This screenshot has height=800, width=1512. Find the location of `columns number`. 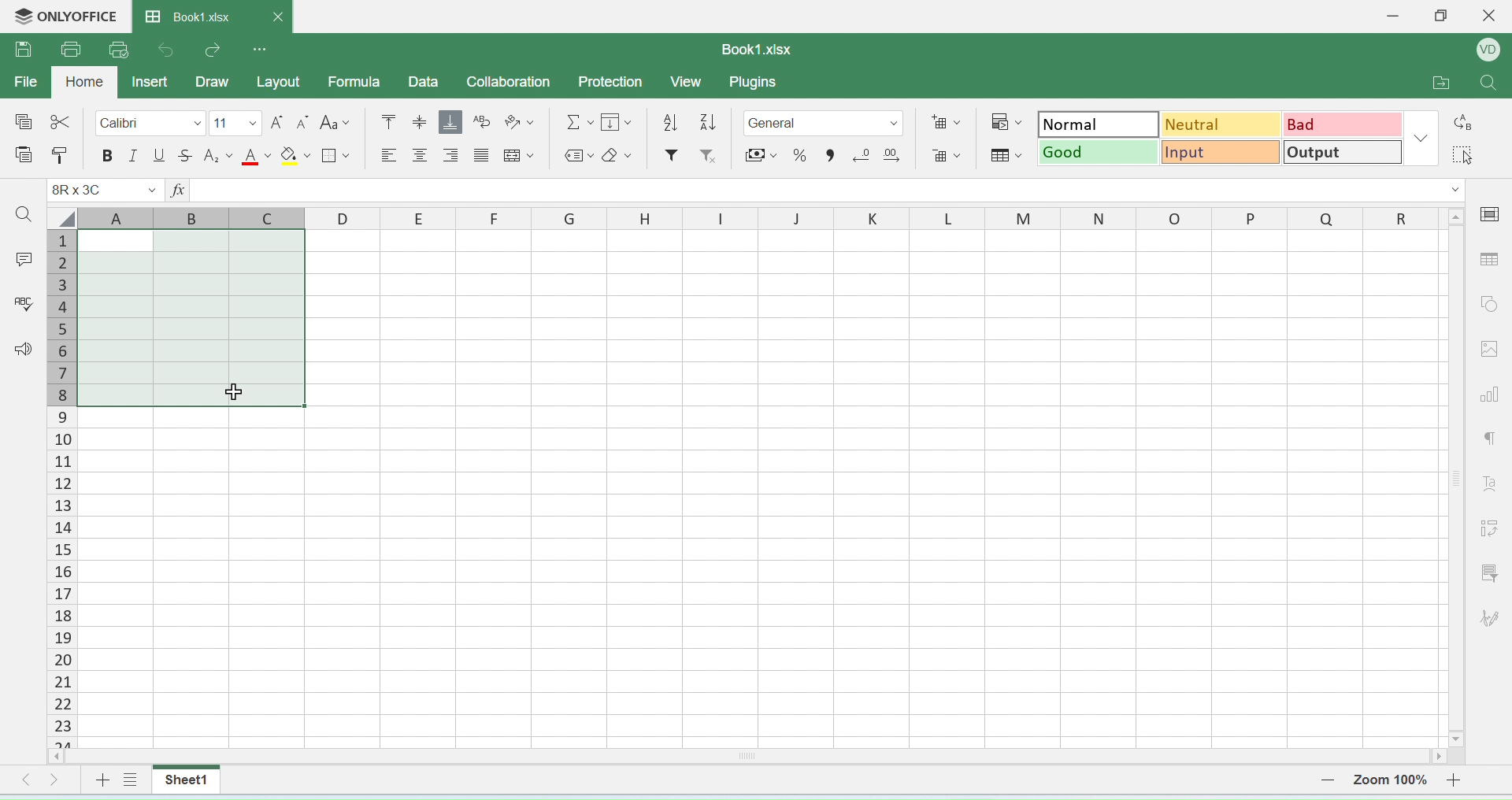

columns number is located at coordinates (60, 490).